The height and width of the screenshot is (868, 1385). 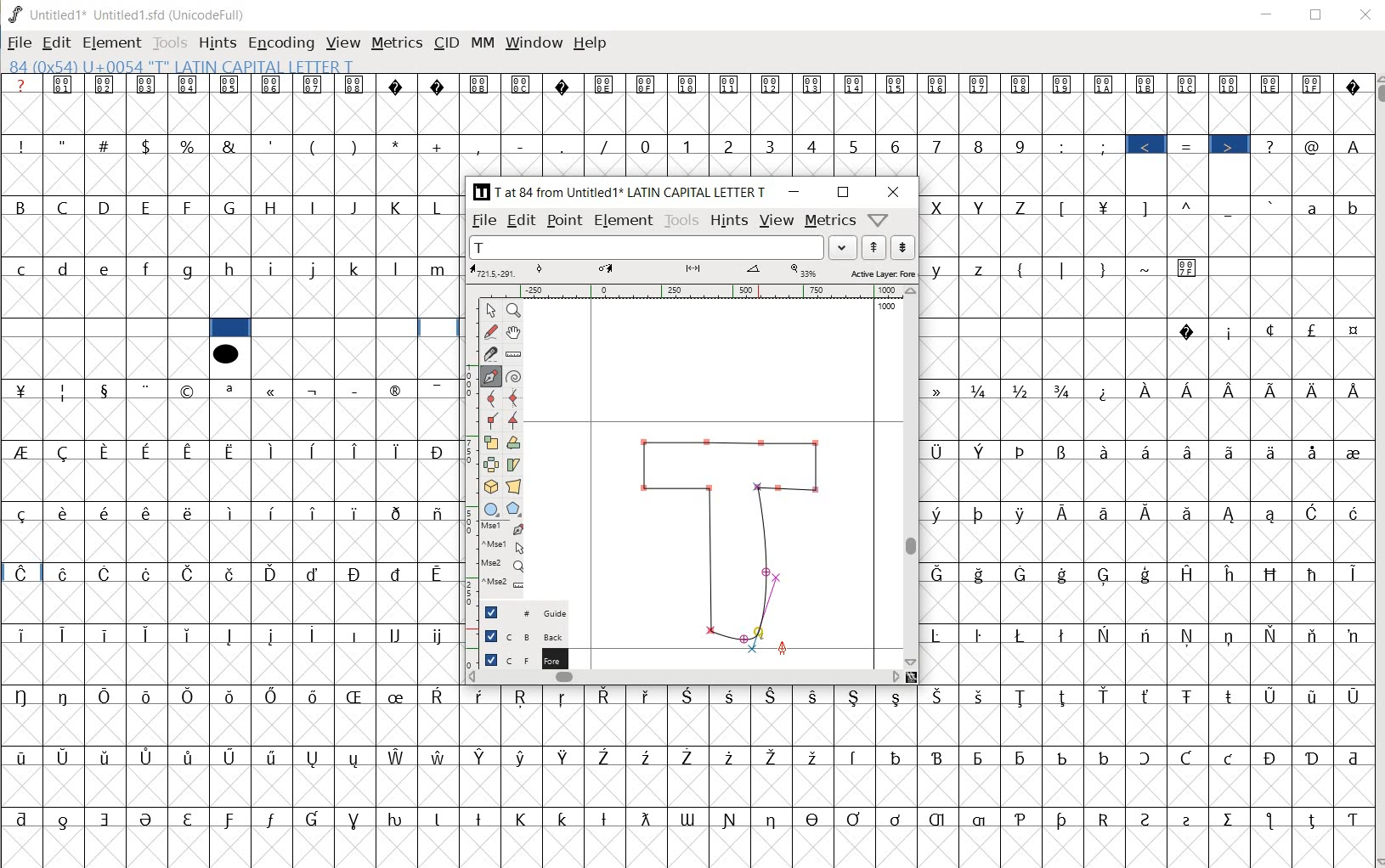 What do you see at coordinates (444, 46) in the screenshot?
I see `cid` at bounding box center [444, 46].